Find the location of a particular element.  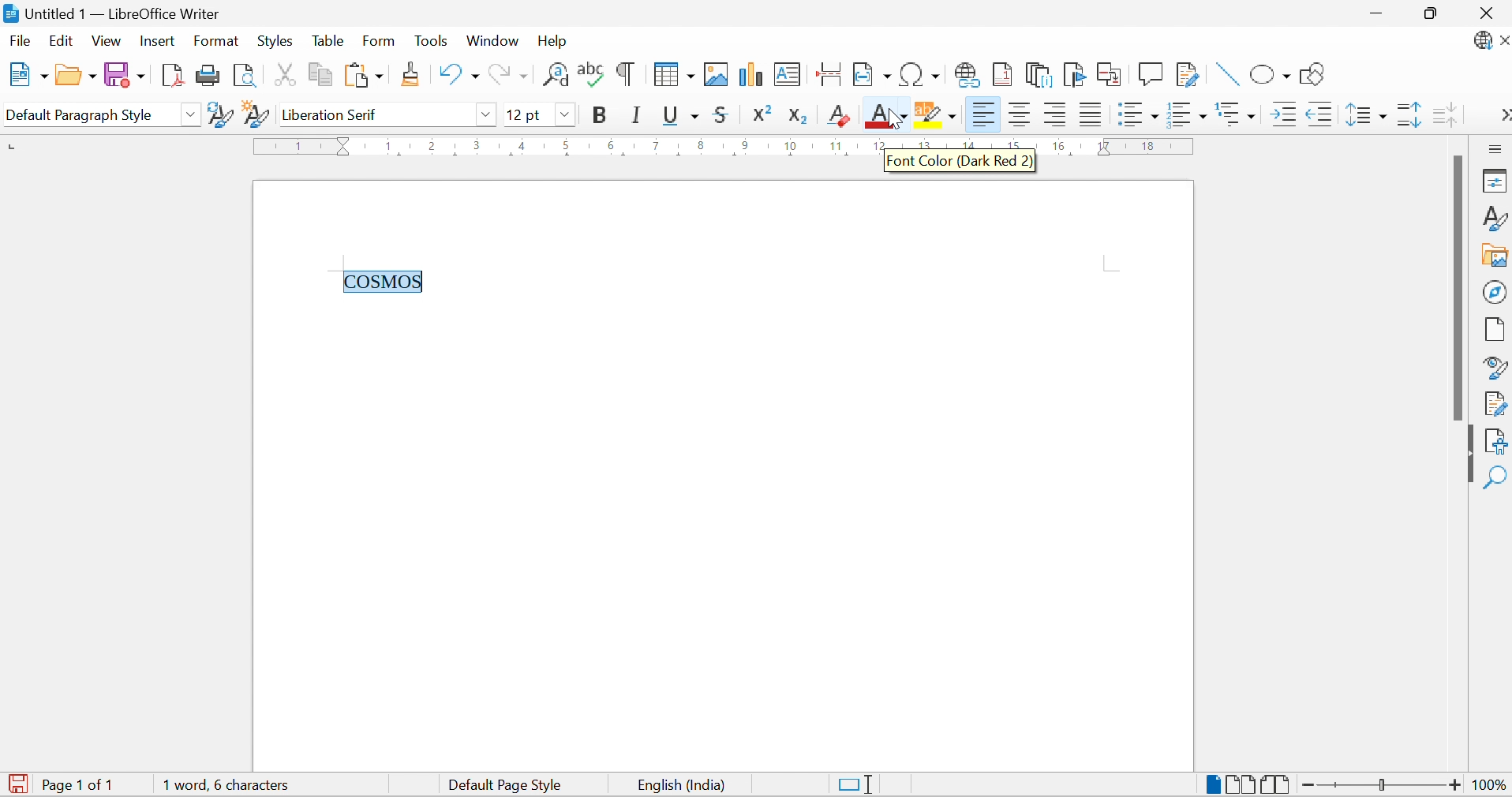

Redo is located at coordinates (507, 73).